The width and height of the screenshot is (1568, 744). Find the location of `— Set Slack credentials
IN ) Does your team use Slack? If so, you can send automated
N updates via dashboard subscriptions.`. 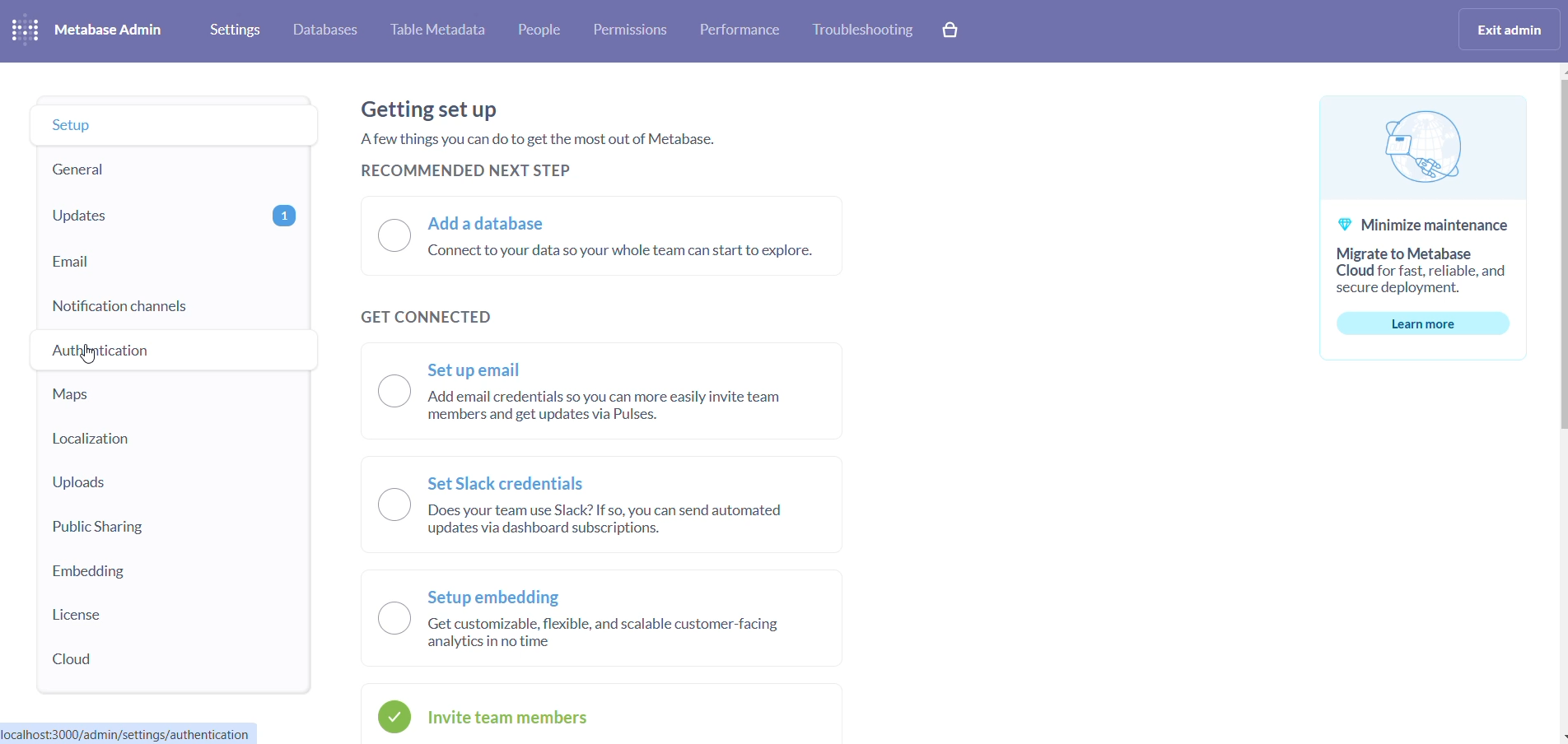

— Set Slack credentials
IN ) Does your team use Slack? If so, you can send automated
N updates via dashboard subscriptions. is located at coordinates (590, 501).